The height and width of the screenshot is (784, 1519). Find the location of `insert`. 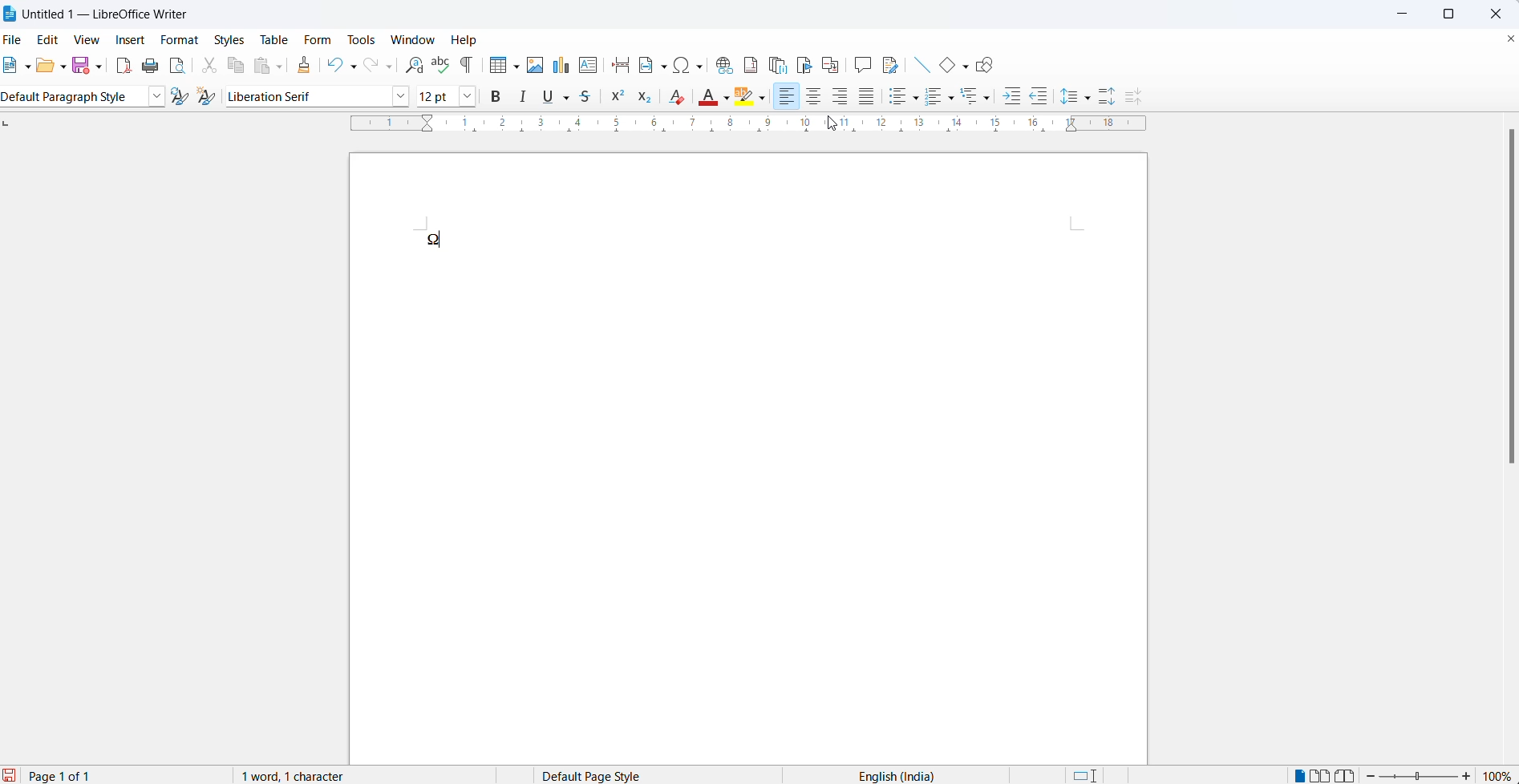

insert is located at coordinates (130, 38).